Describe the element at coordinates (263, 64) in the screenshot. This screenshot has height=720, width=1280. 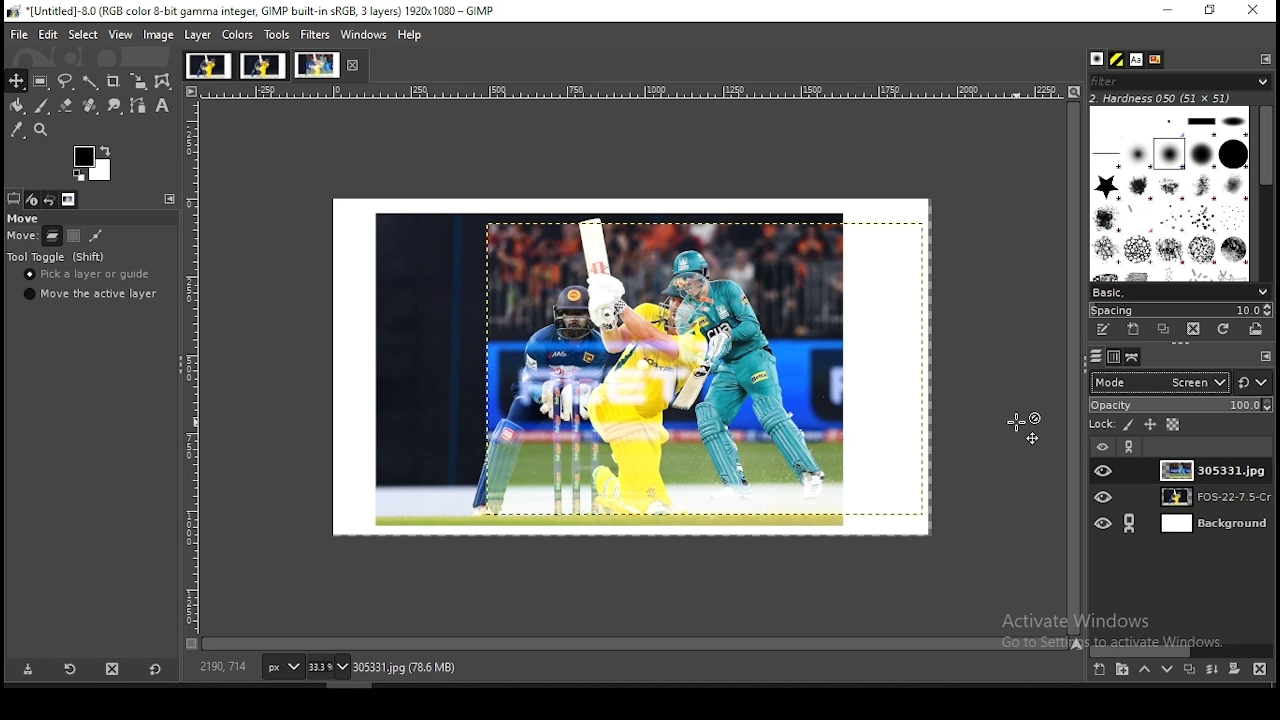
I see `image` at that location.